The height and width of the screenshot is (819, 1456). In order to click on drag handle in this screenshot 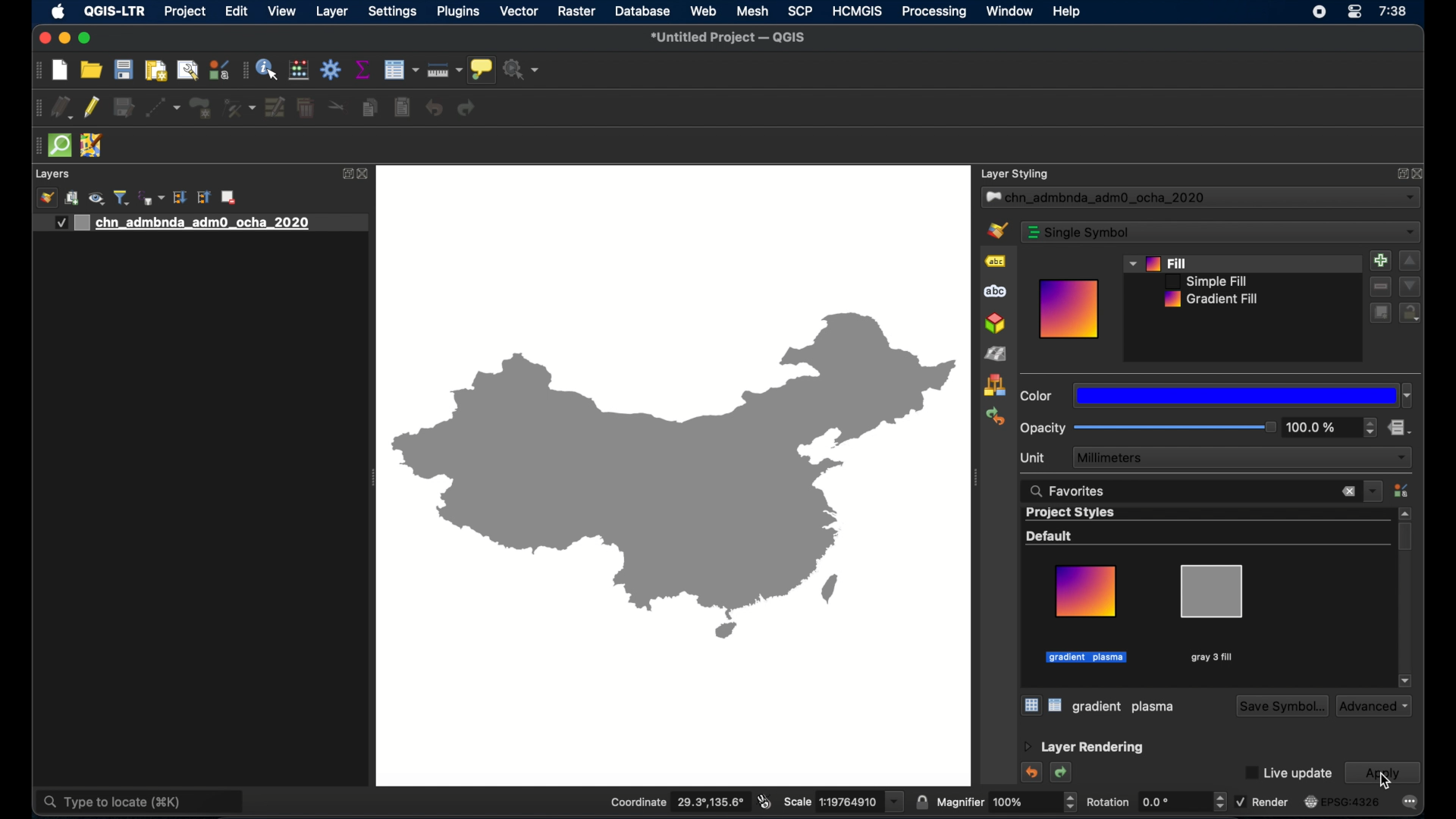, I will do `click(35, 146)`.